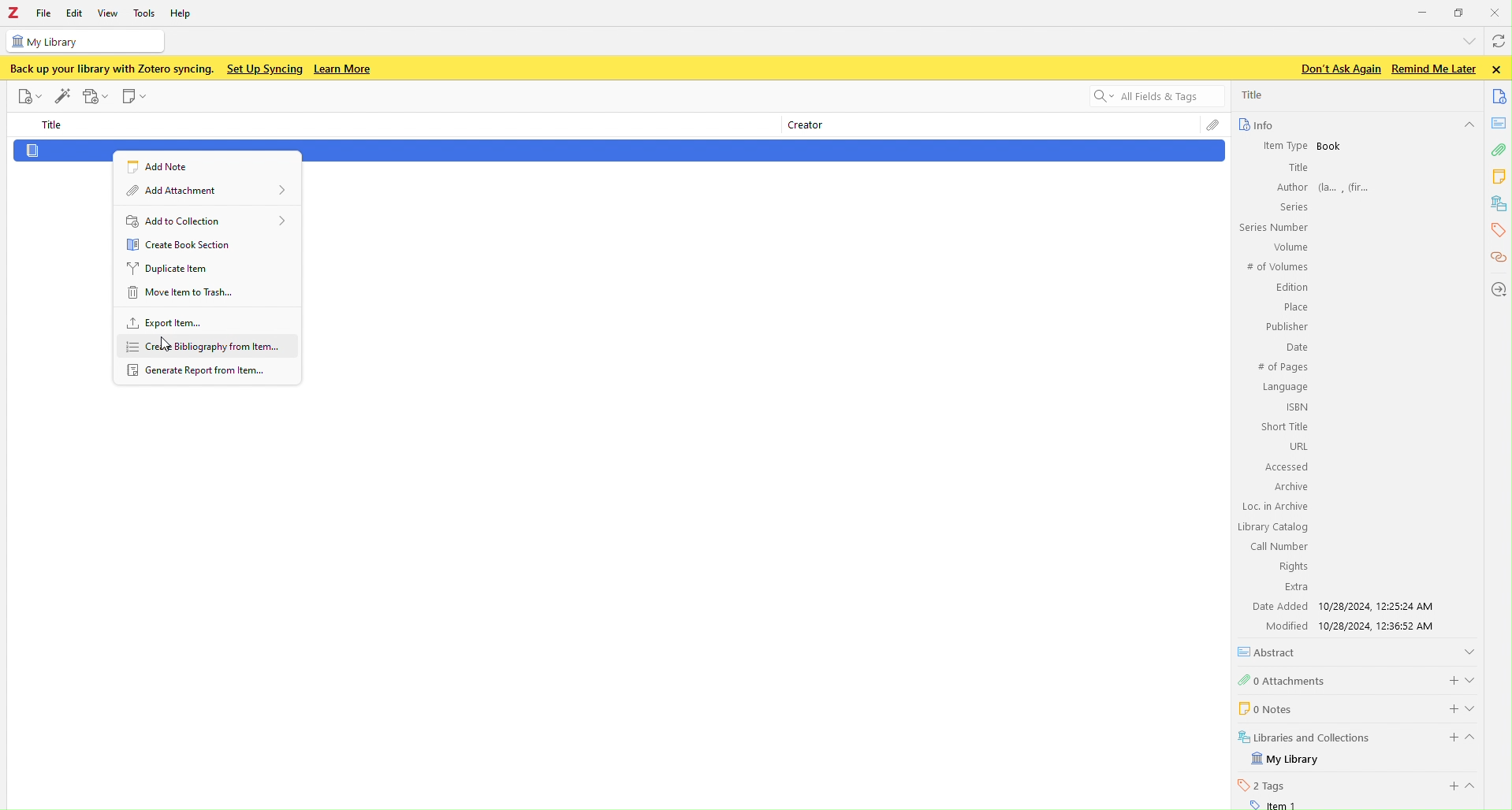  What do you see at coordinates (1278, 145) in the screenshot?
I see `Item Type` at bounding box center [1278, 145].